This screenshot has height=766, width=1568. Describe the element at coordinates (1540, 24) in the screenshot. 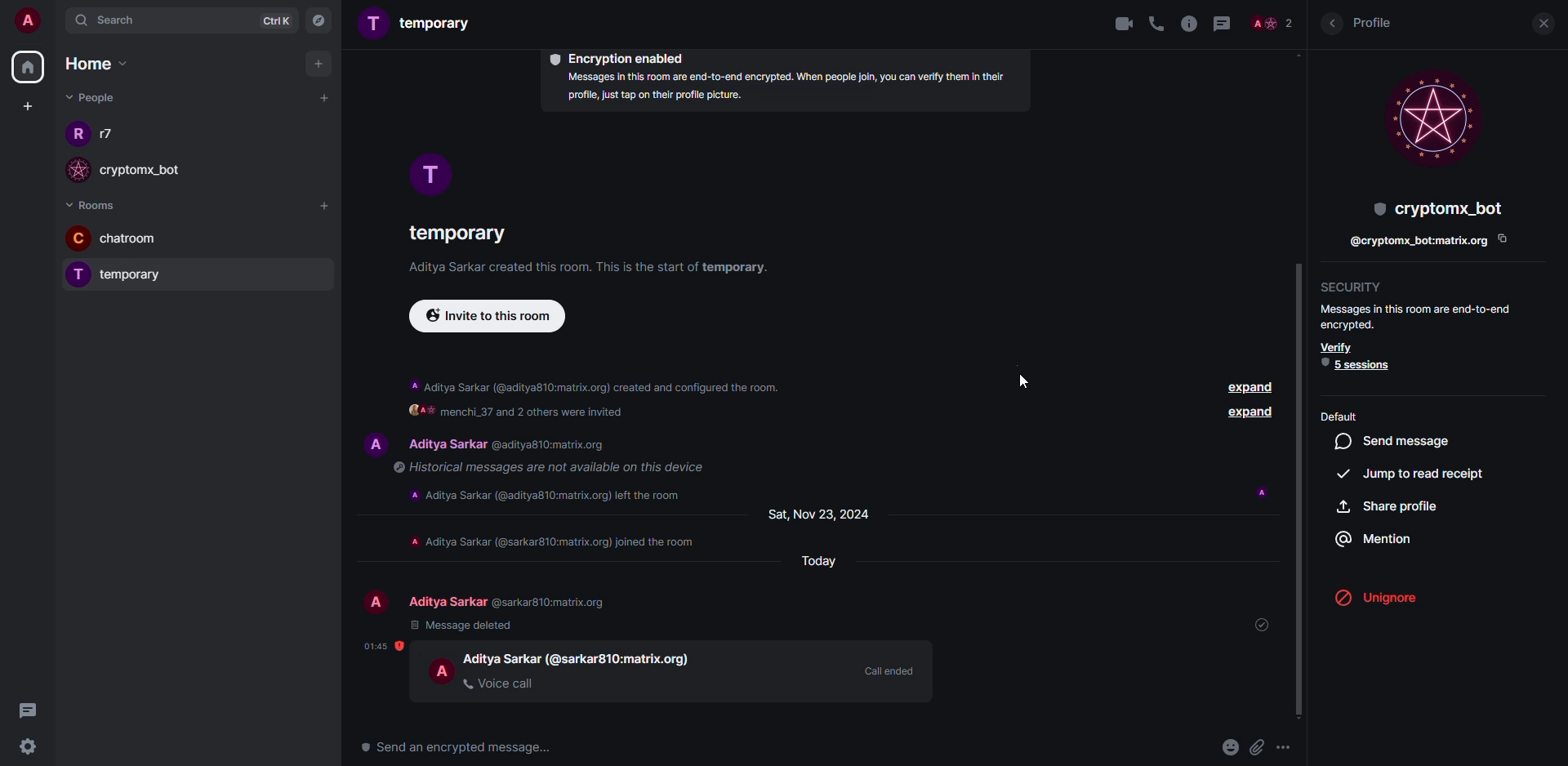

I see `close` at that location.